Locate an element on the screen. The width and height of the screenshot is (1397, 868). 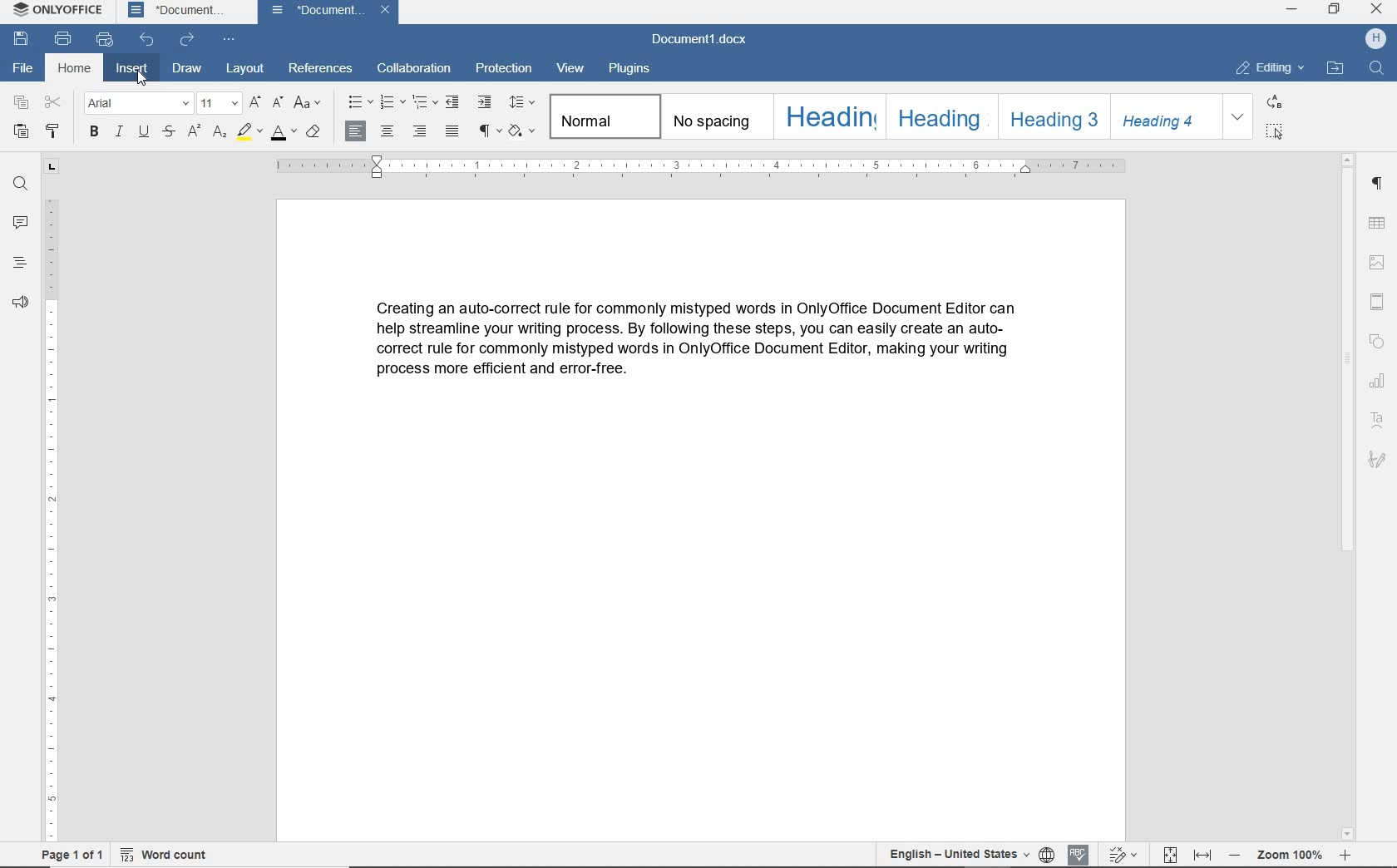
text language is located at coordinates (958, 855).